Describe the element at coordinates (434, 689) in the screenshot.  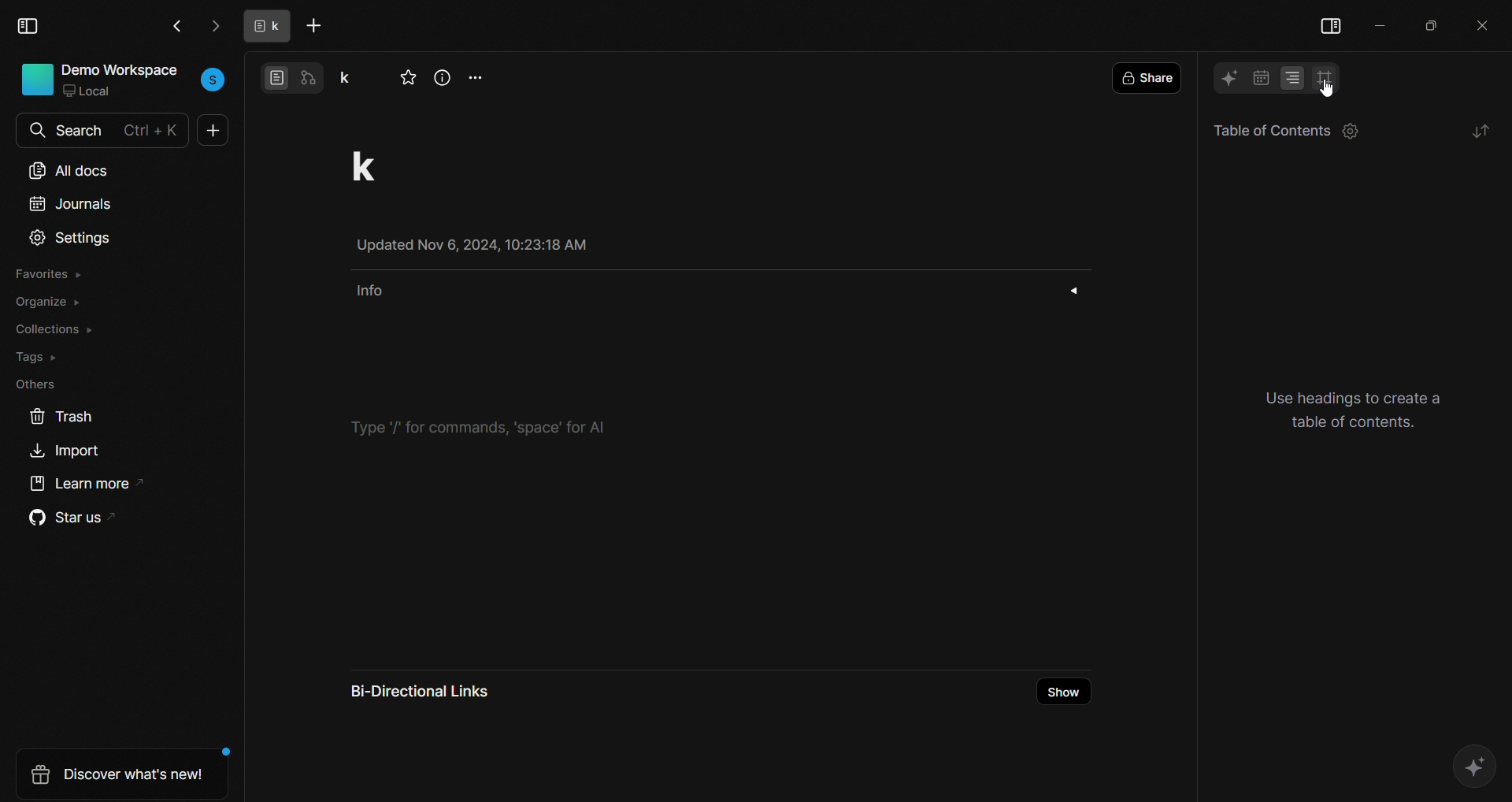
I see `bi-directional links` at that location.